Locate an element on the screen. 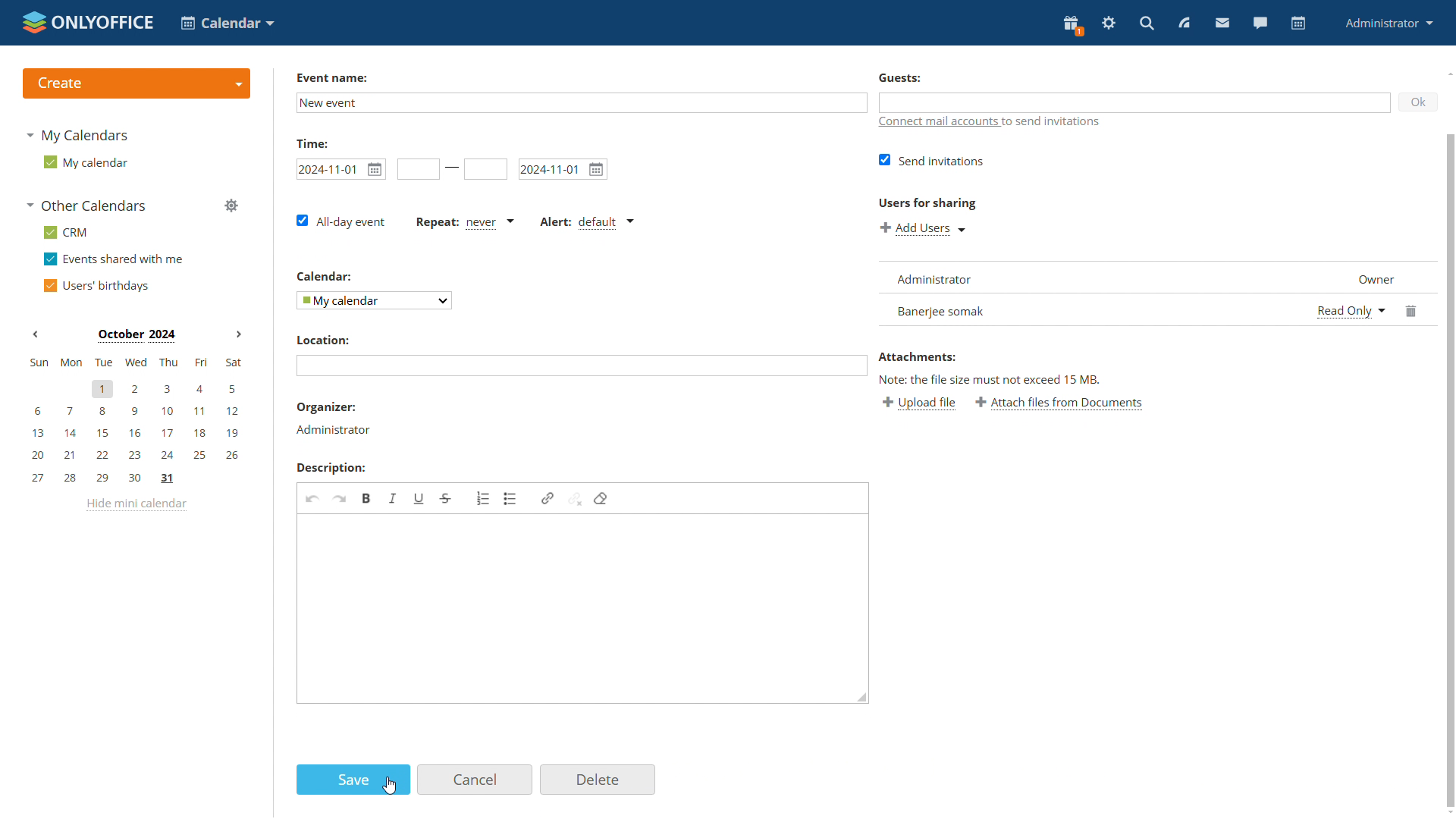 This screenshot has width=1456, height=819. list of guests is located at coordinates (1152, 277).